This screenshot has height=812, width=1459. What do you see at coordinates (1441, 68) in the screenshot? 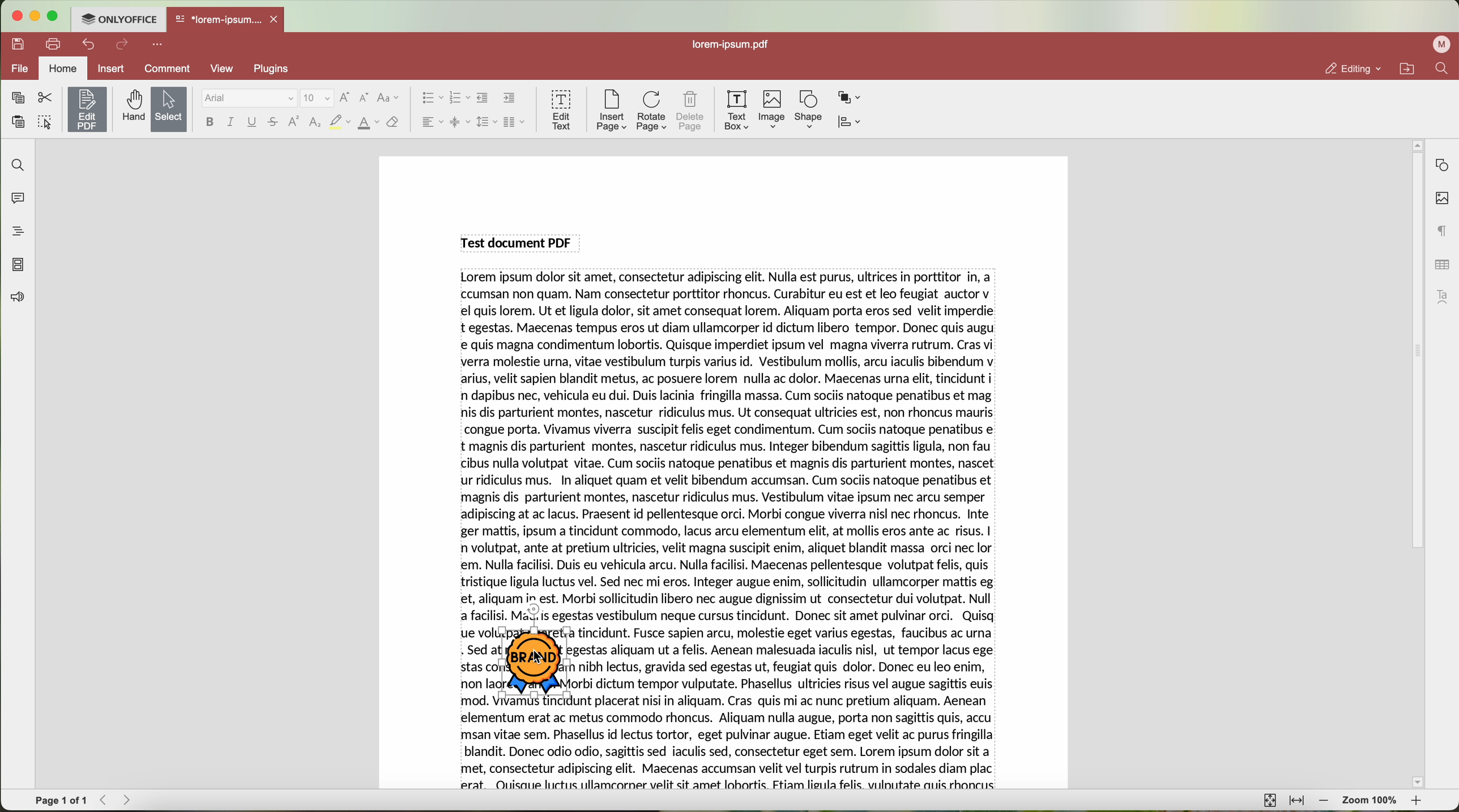
I see `find` at bounding box center [1441, 68].